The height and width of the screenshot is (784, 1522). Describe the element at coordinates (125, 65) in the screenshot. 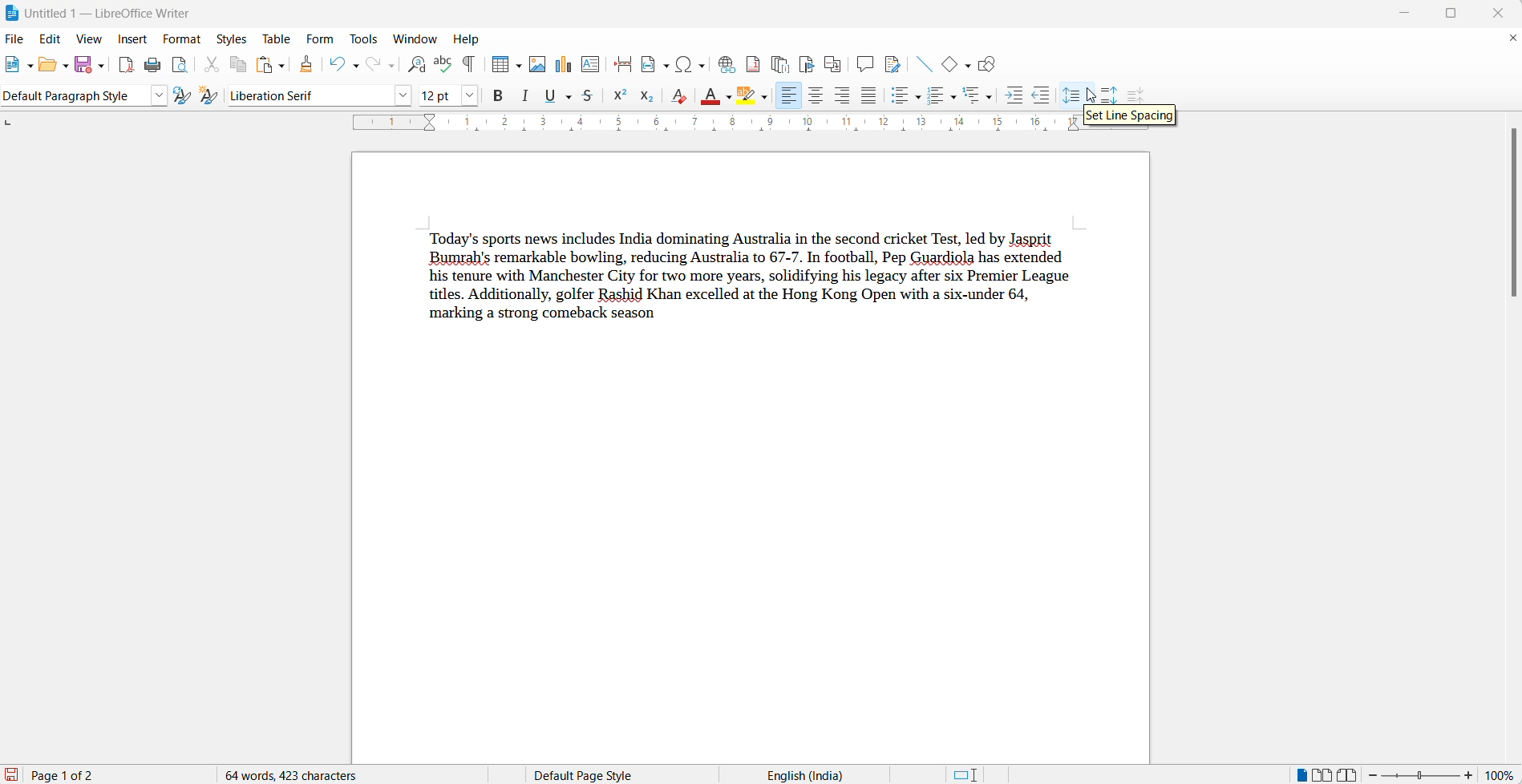

I see `export as pdf` at that location.